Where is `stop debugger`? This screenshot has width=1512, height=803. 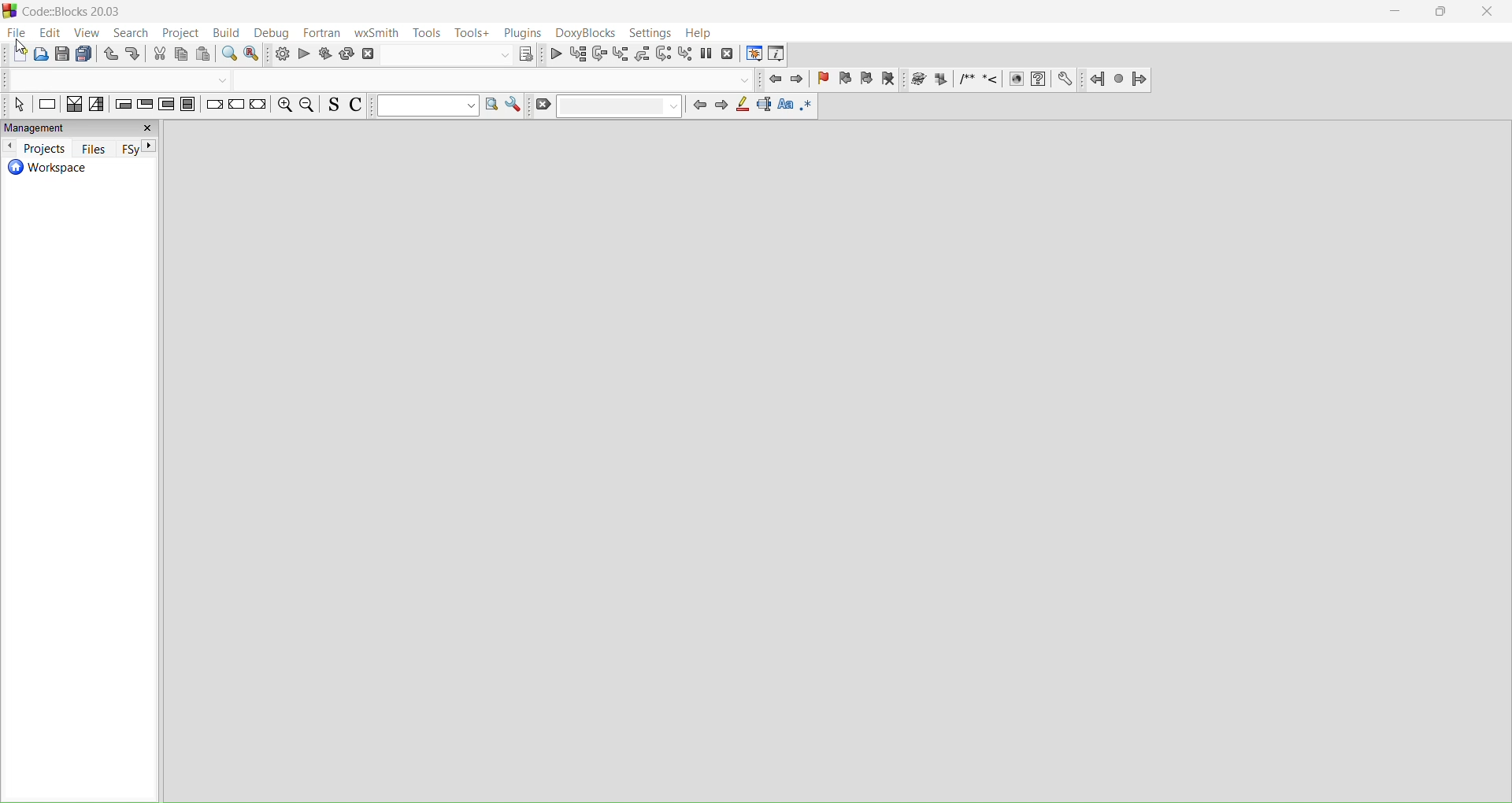
stop debugger is located at coordinates (728, 54).